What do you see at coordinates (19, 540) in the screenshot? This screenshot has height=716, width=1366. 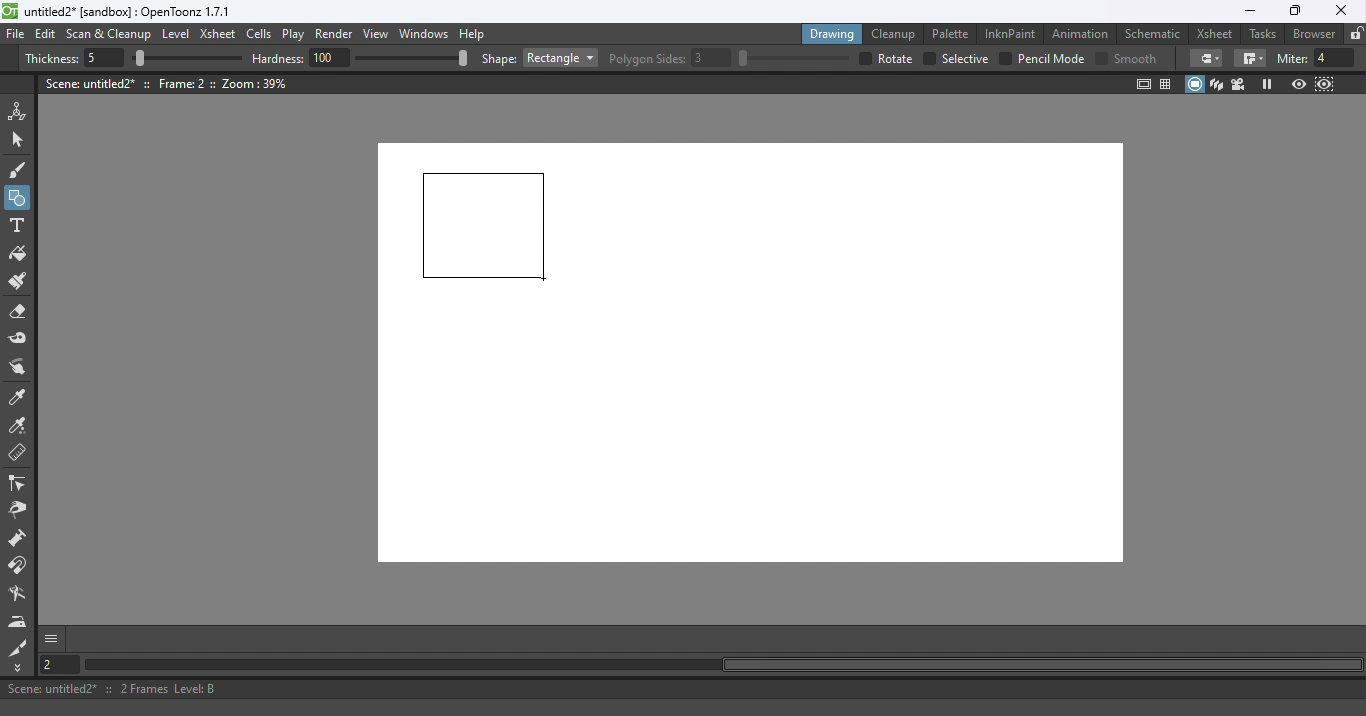 I see `Magnet tool` at bounding box center [19, 540].